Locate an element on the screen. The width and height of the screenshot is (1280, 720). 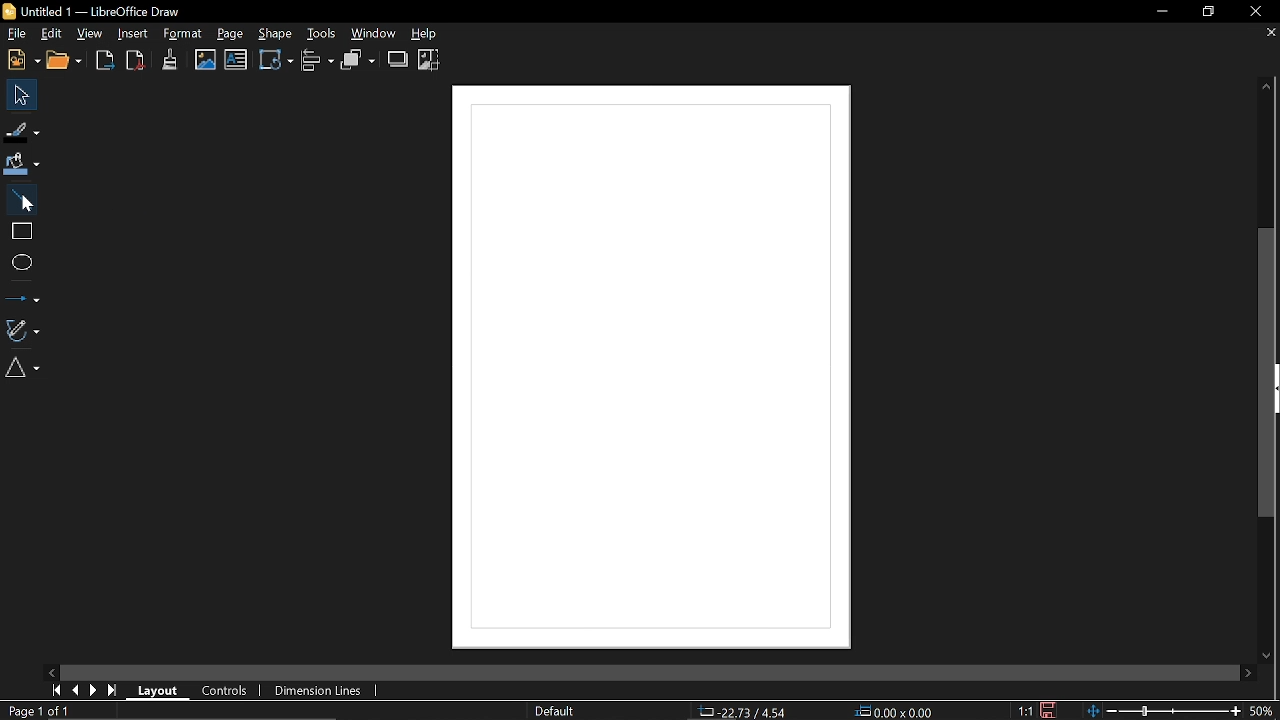
Current window is located at coordinates (102, 11).